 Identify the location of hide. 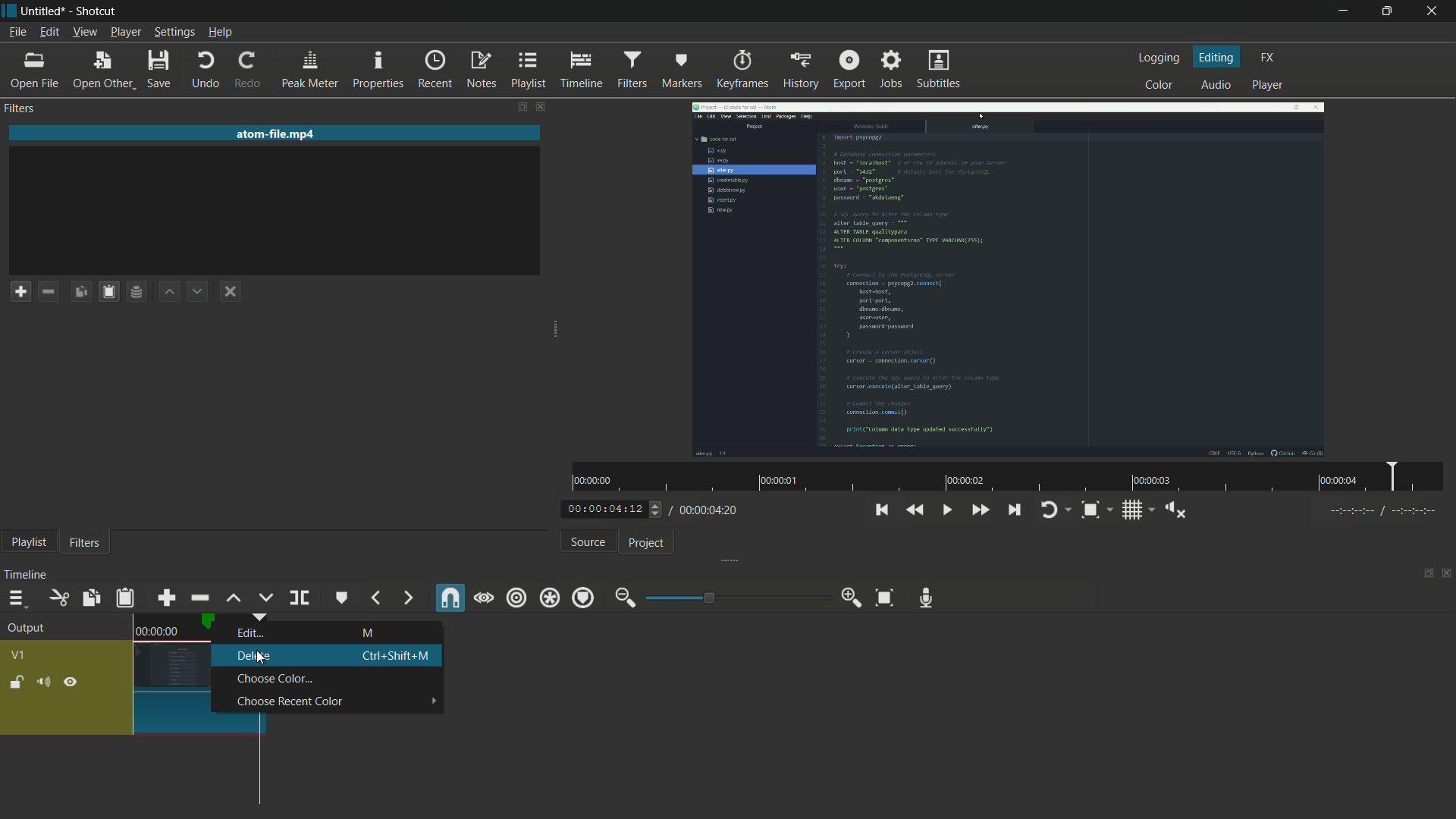
(72, 681).